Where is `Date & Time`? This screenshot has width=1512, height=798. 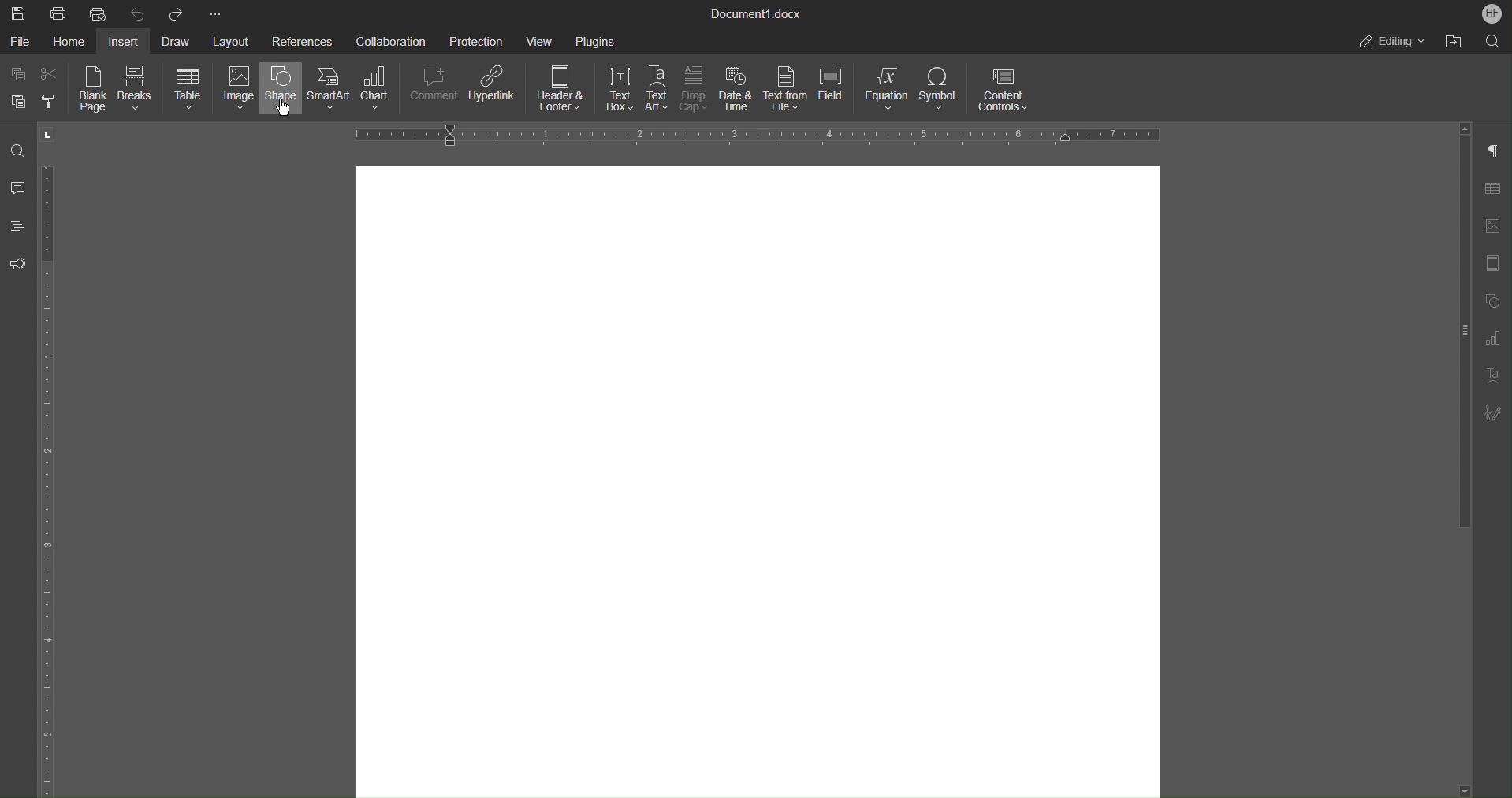
Date & Time is located at coordinates (738, 91).